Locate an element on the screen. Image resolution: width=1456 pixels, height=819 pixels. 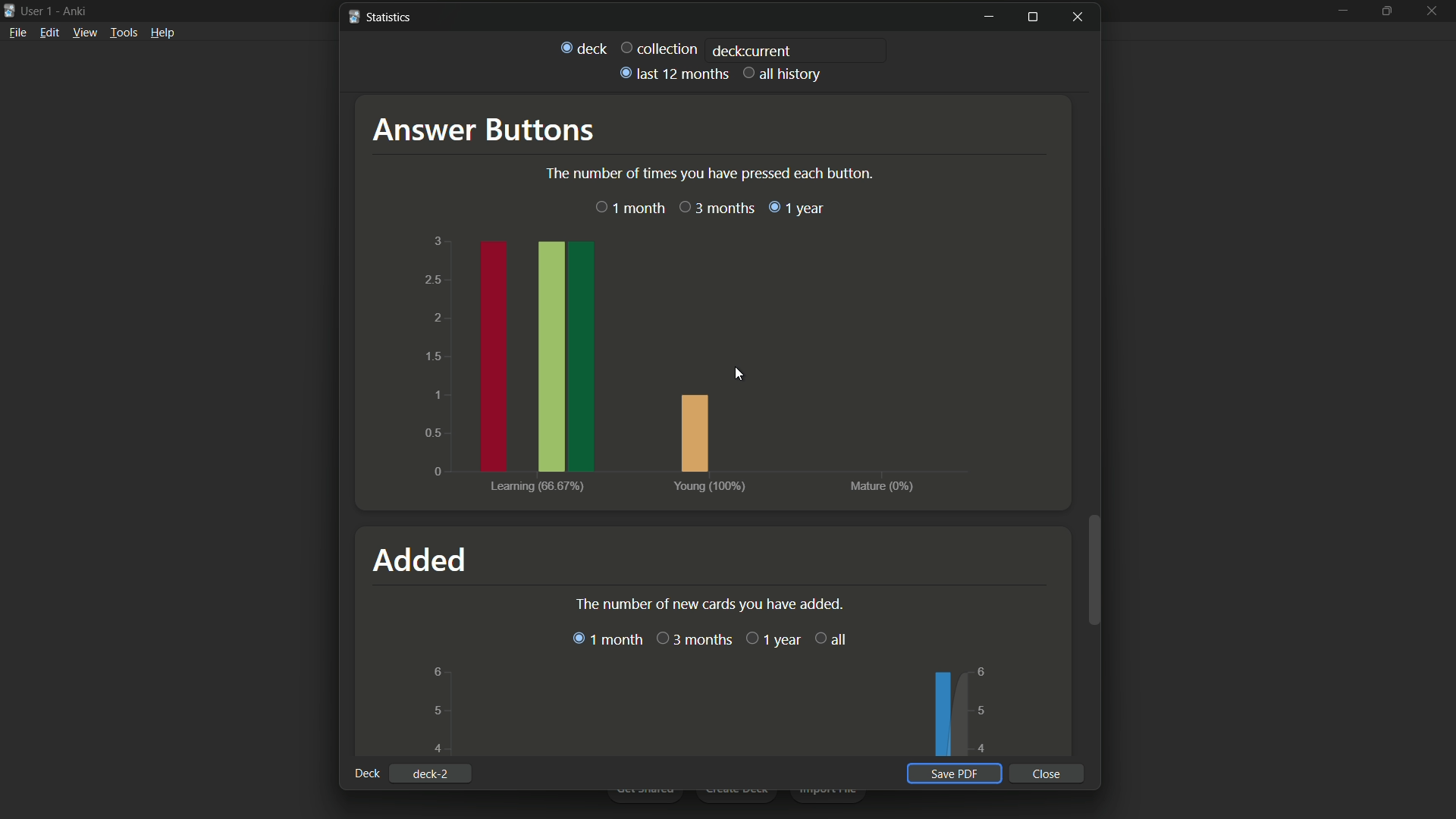
View is located at coordinates (85, 36).